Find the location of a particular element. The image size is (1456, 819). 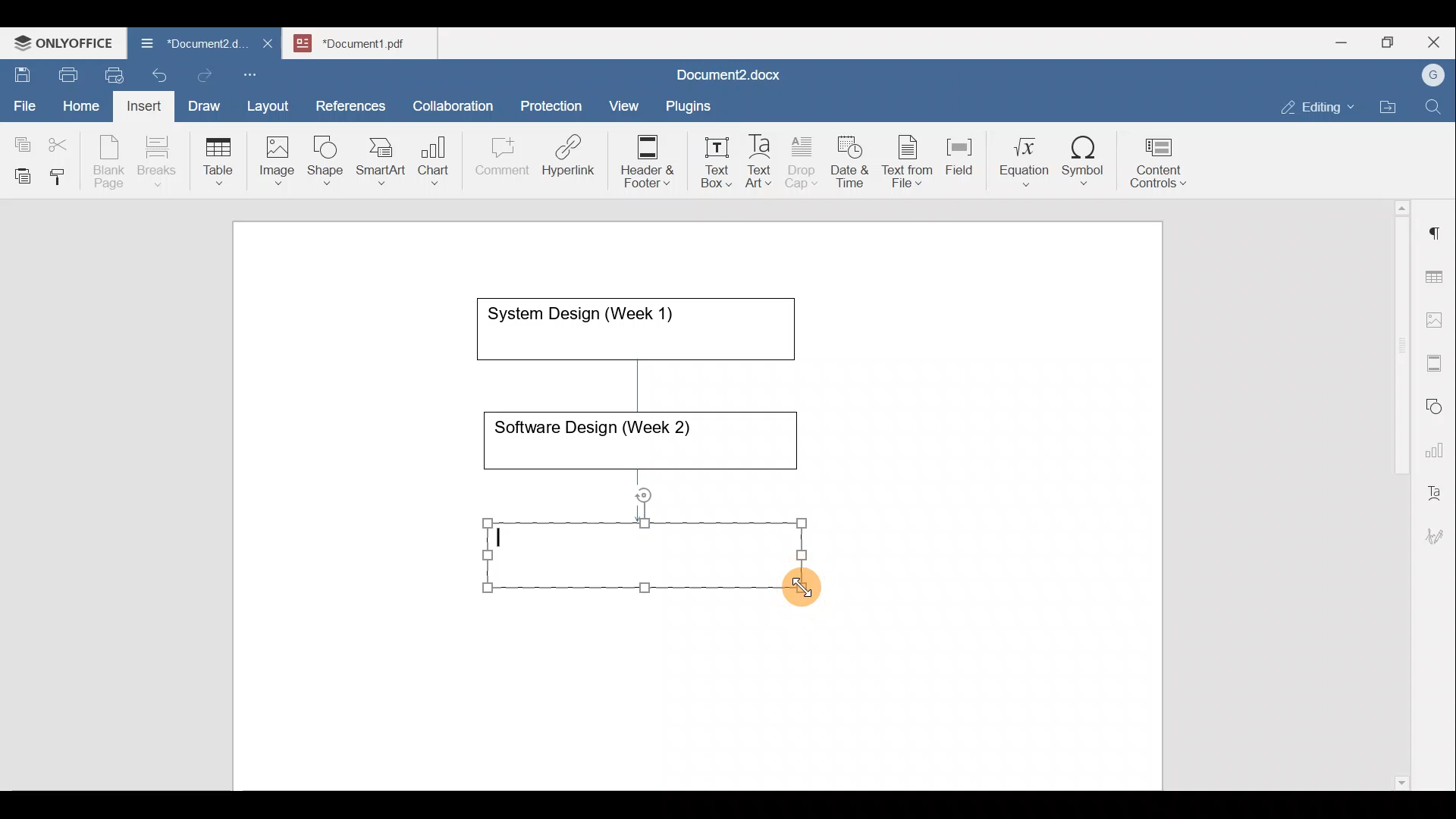

Field is located at coordinates (959, 154).